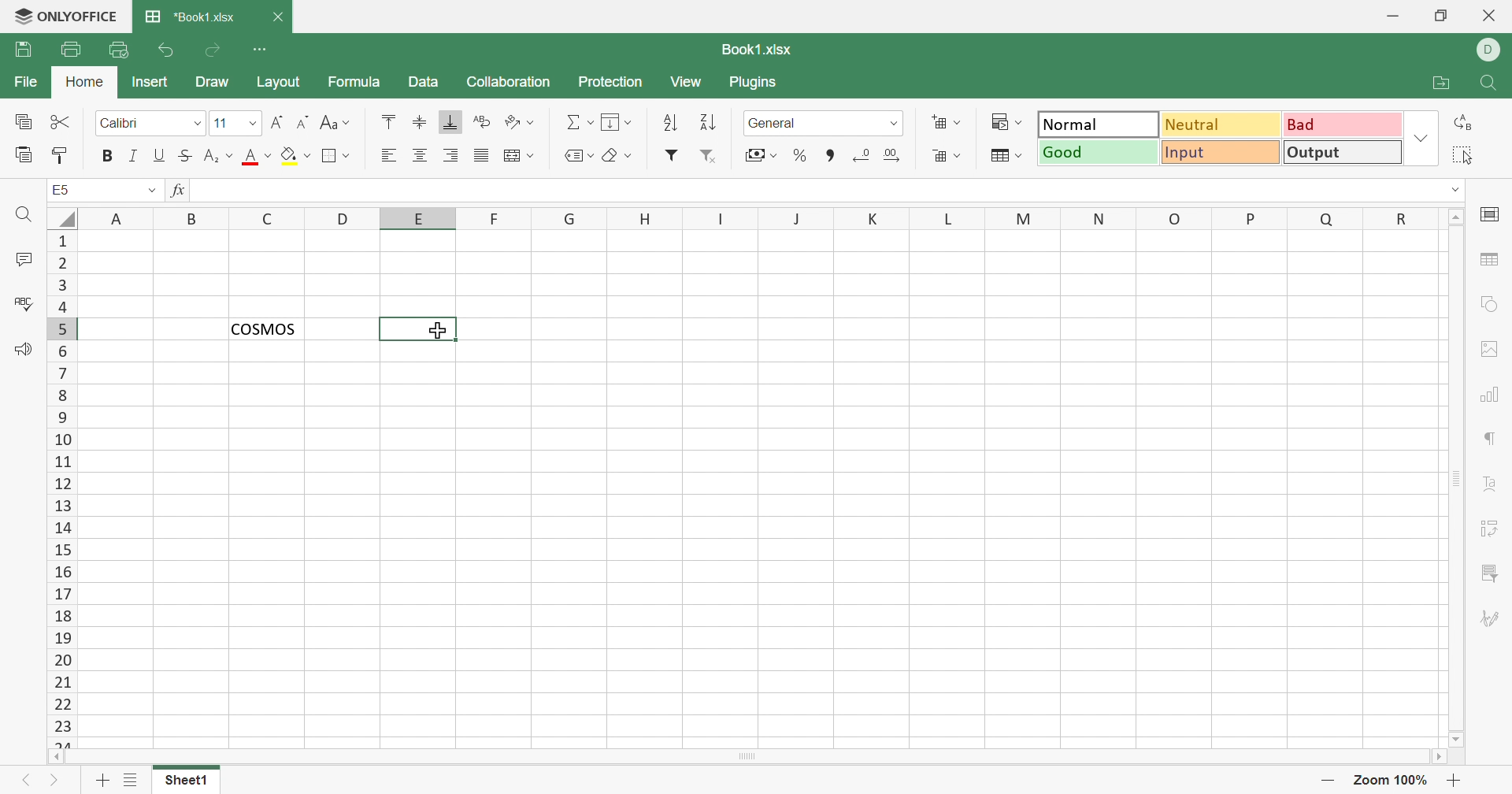 The width and height of the screenshot is (1512, 794). Describe the element at coordinates (190, 17) in the screenshot. I see `Book1.xlsx` at that location.